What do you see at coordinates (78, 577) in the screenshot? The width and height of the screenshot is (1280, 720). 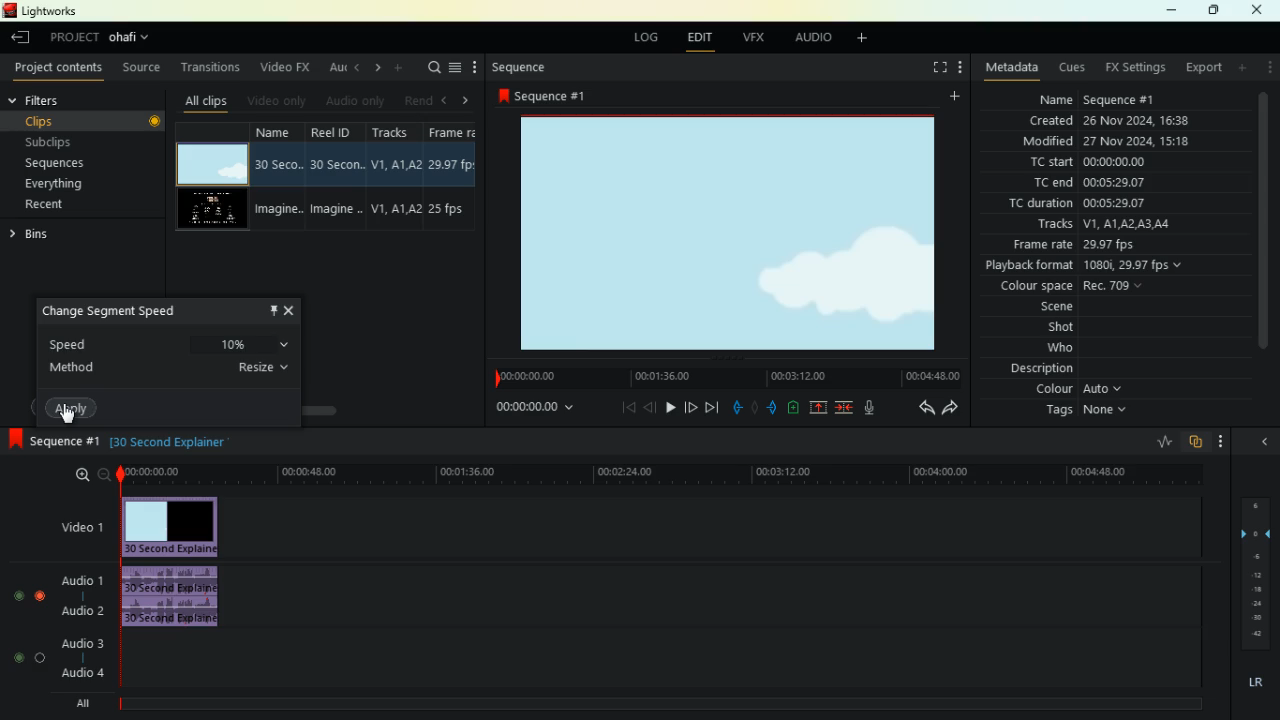 I see `audio1` at bounding box center [78, 577].